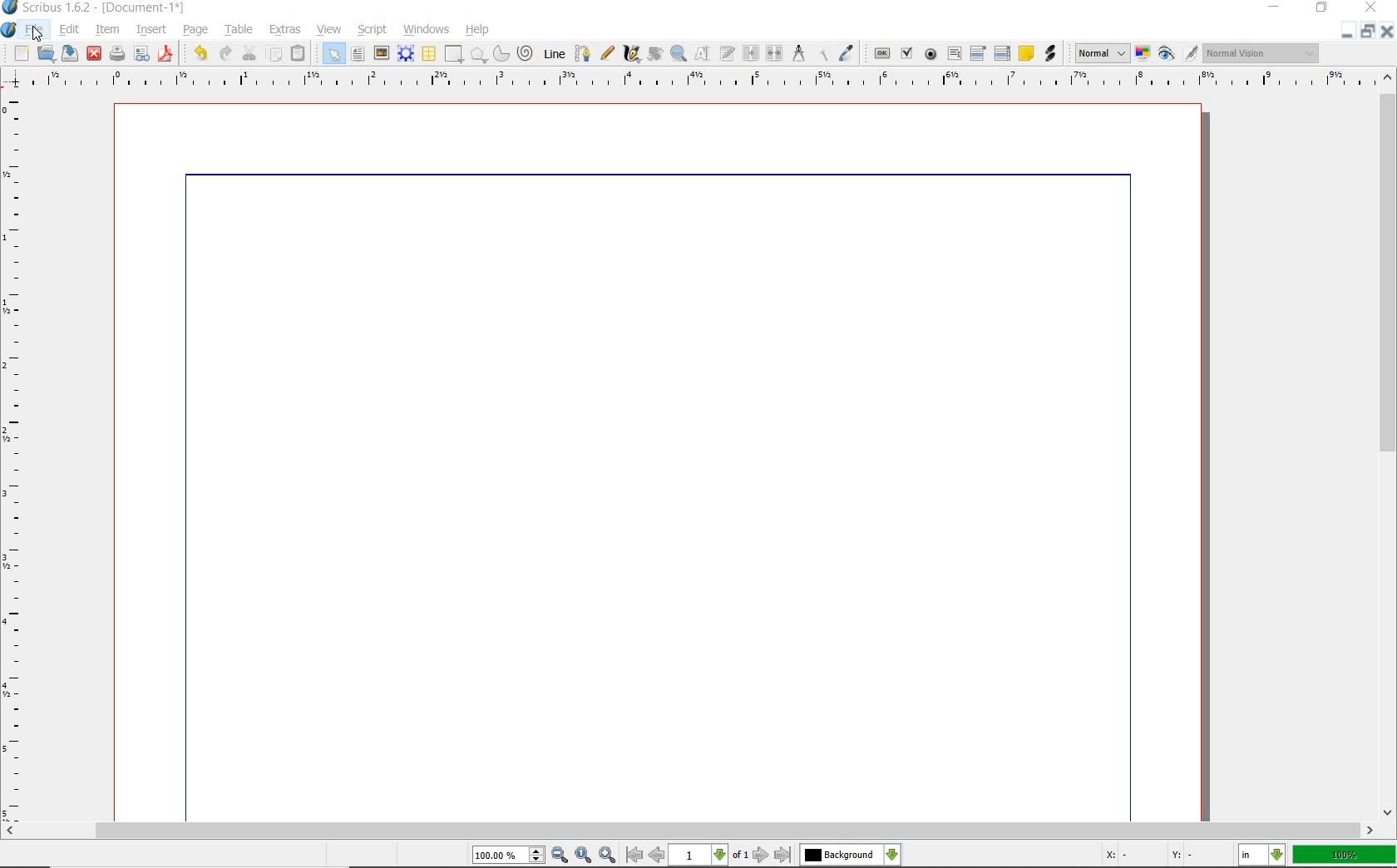 The width and height of the screenshot is (1397, 868). Describe the element at coordinates (689, 831) in the screenshot. I see `scrollbar` at that location.